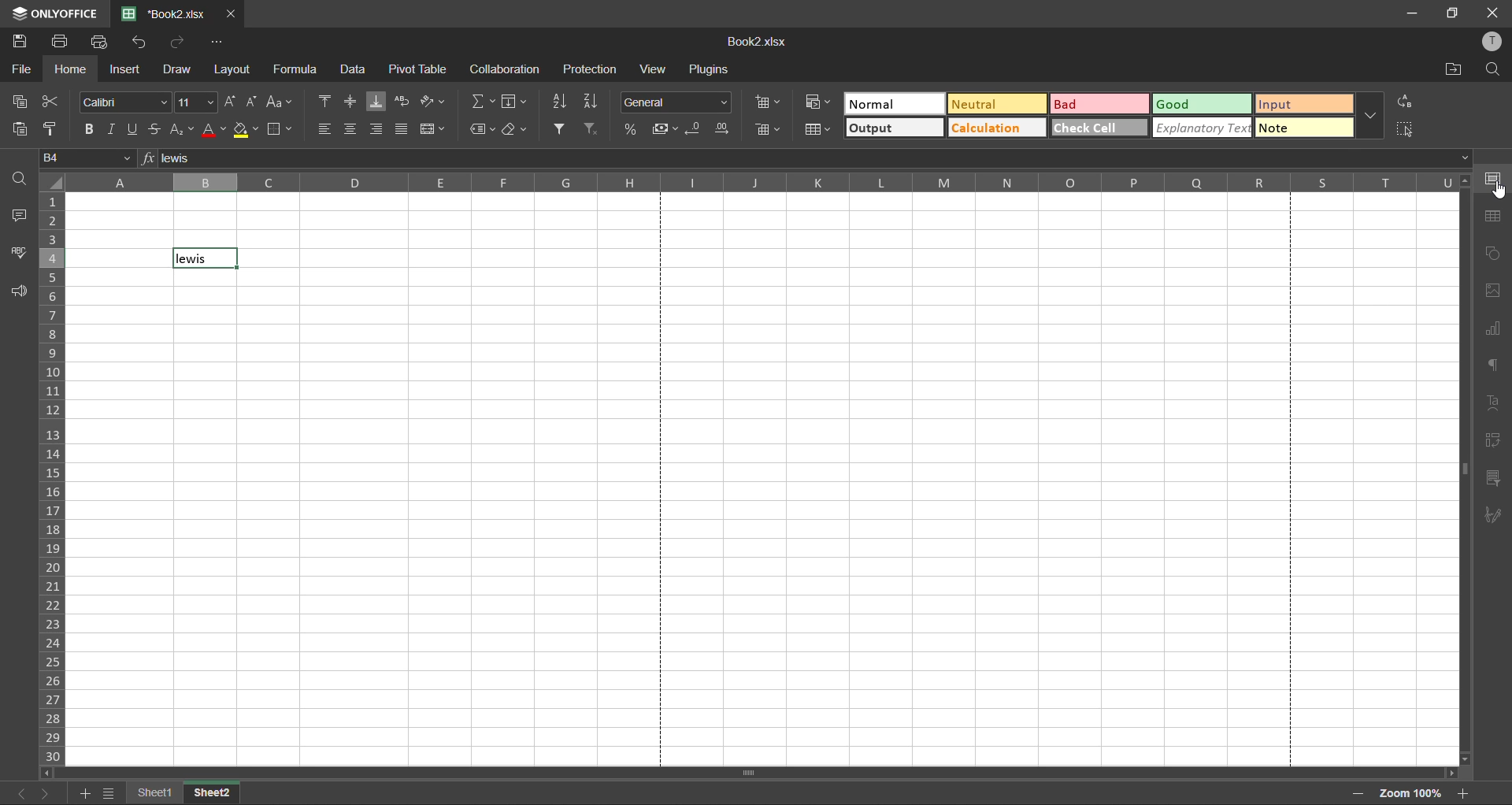 This screenshot has height=805, width=1512. What do you see at coordinates (19, 291) in the screenshot?
I see `feedback` at bounding box center [19, 291].